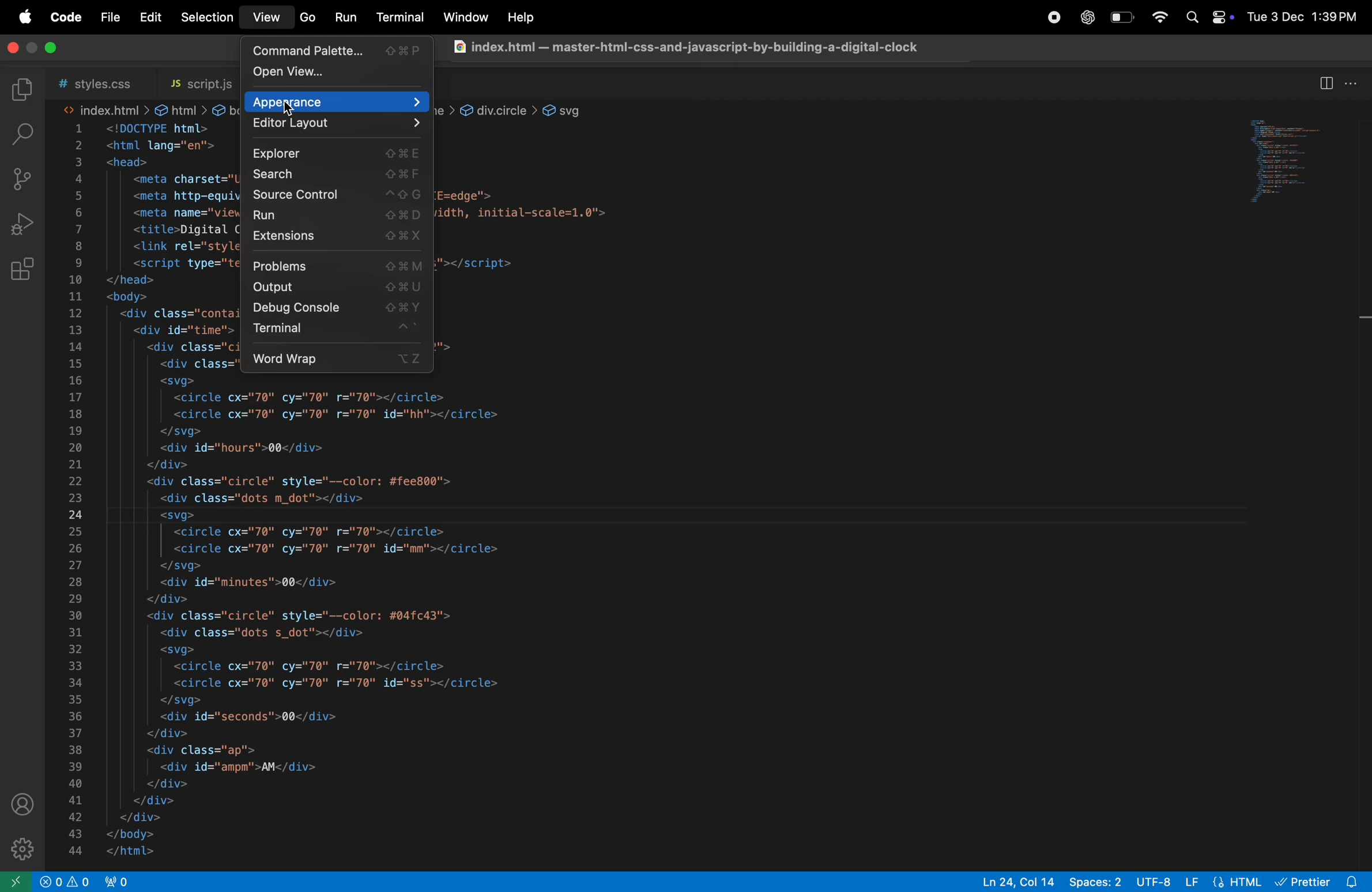 The height and width of the screenshot is (892, 1372). I want to click on script.js, so click(196, 81).